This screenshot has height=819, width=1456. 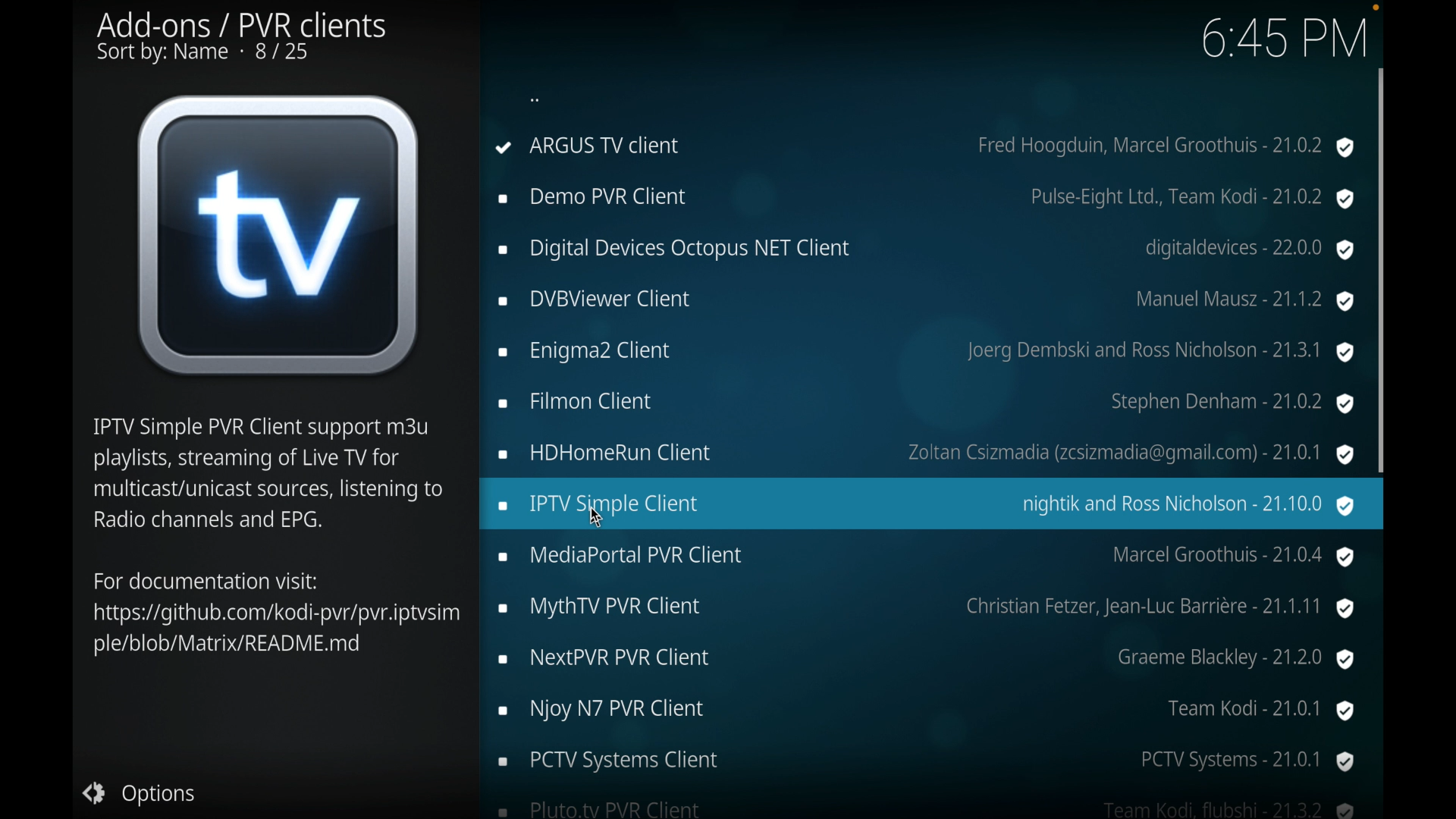 What do you see at coordinates (927, 506) in the screenshot?
I see `iptv client` at bounding box center [927, 506].